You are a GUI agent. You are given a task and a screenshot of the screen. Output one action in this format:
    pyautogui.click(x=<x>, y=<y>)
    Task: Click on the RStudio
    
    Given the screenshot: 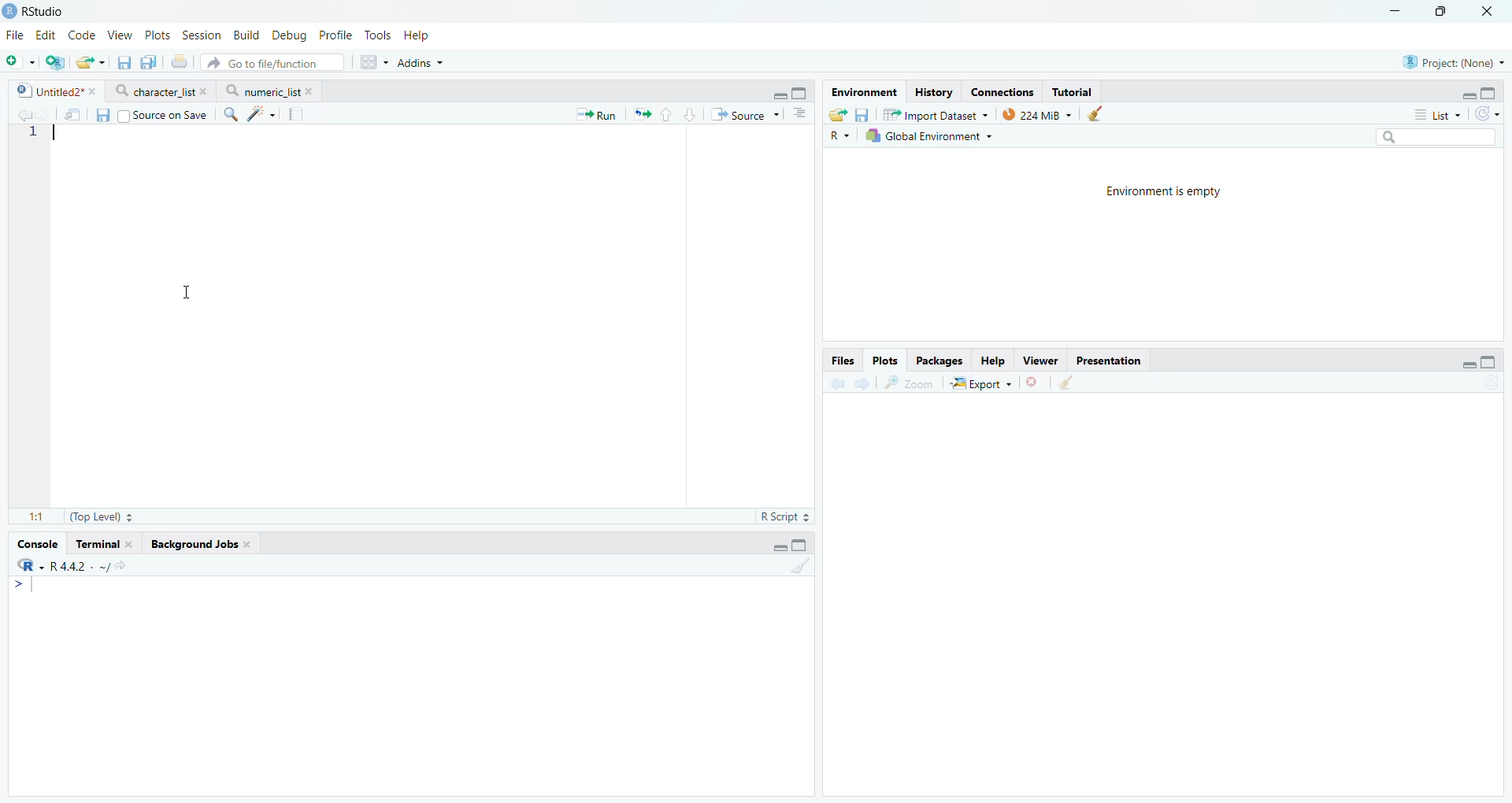 What is the action you would take?
    pyautogui.click(x=35, y=11)
    